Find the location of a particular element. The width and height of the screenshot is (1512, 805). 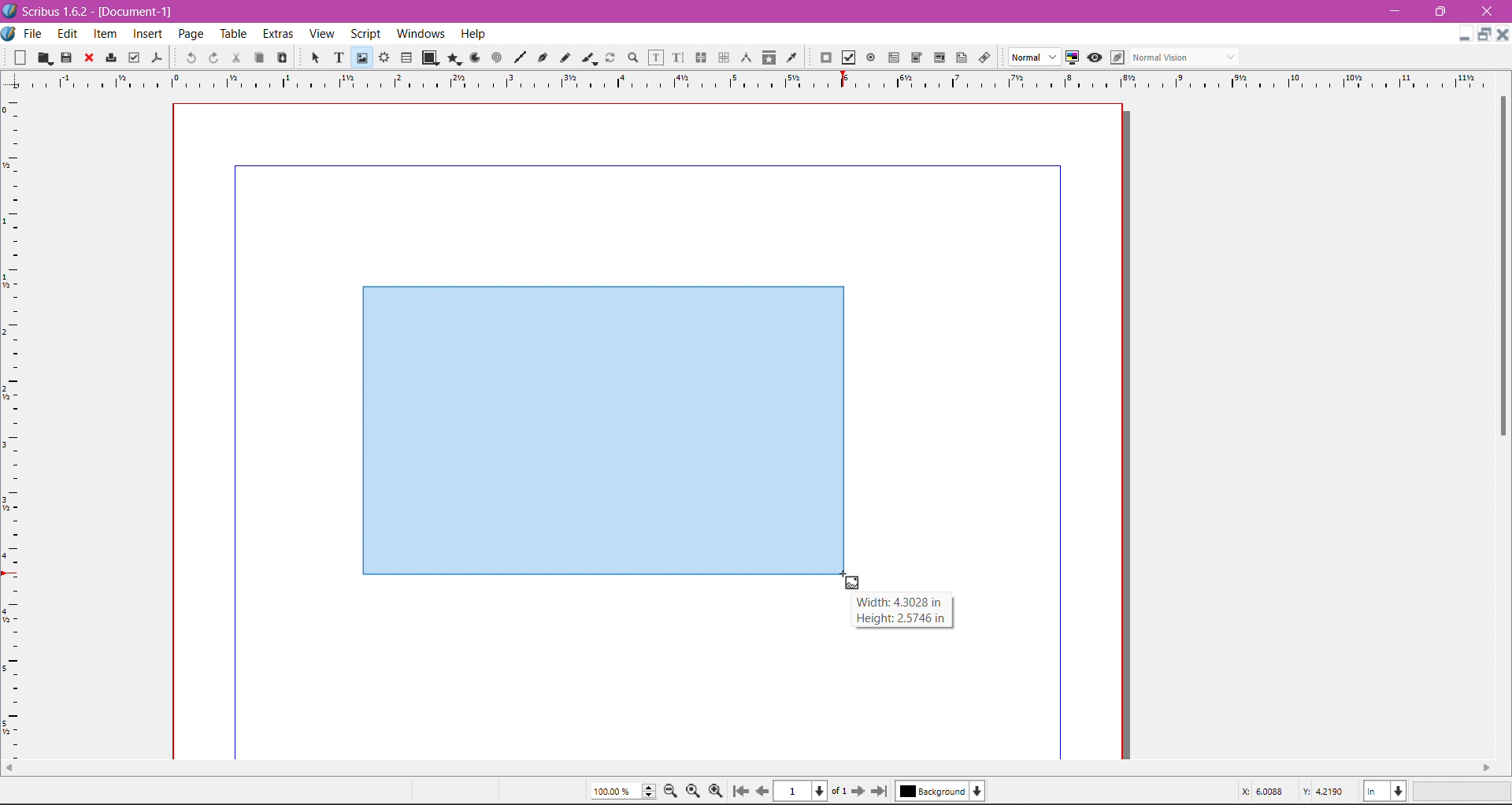

Select the current unit is located at coordinates (1385, 792).